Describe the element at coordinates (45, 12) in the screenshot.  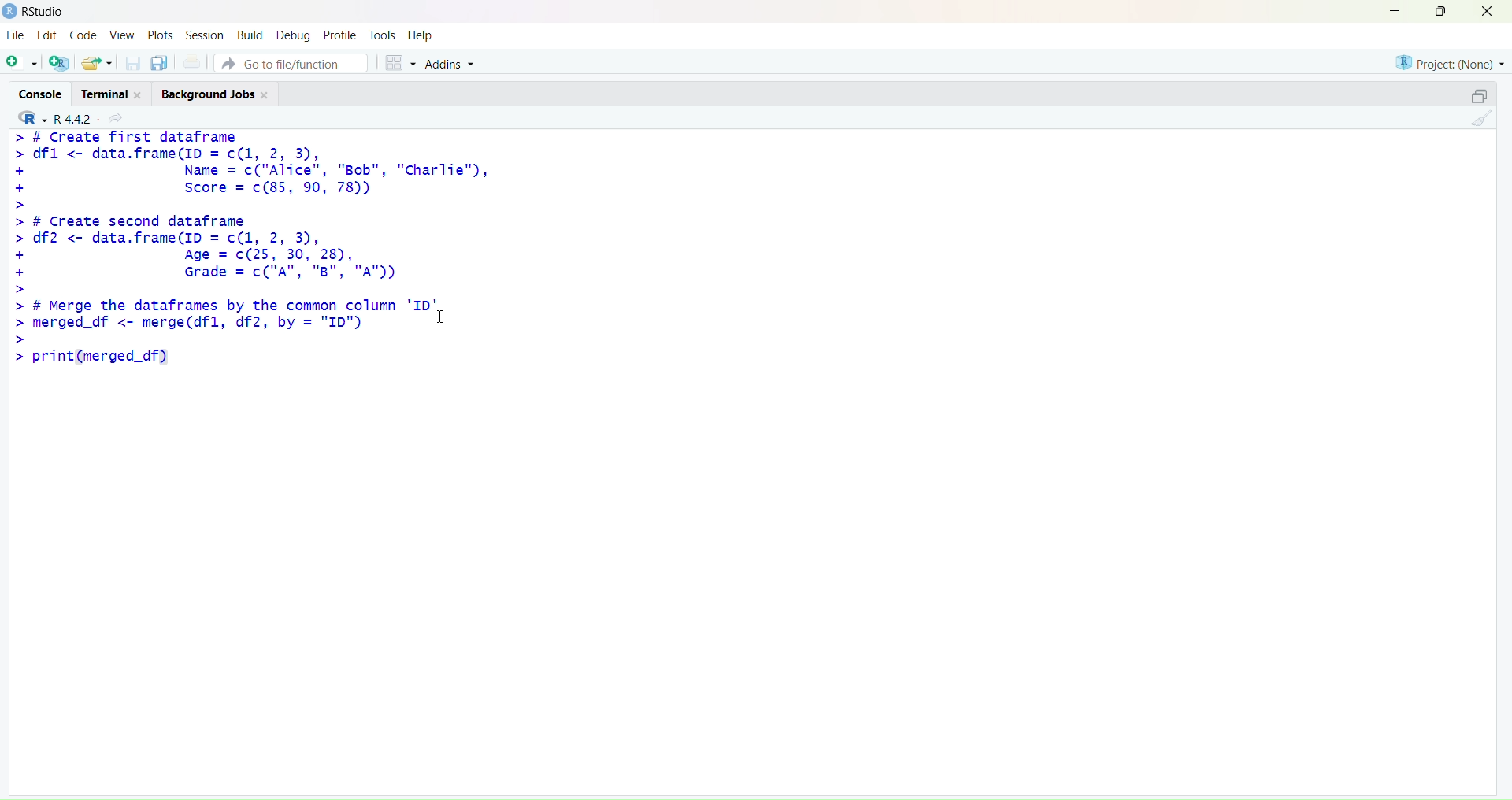
I see `RStudio` at that location.